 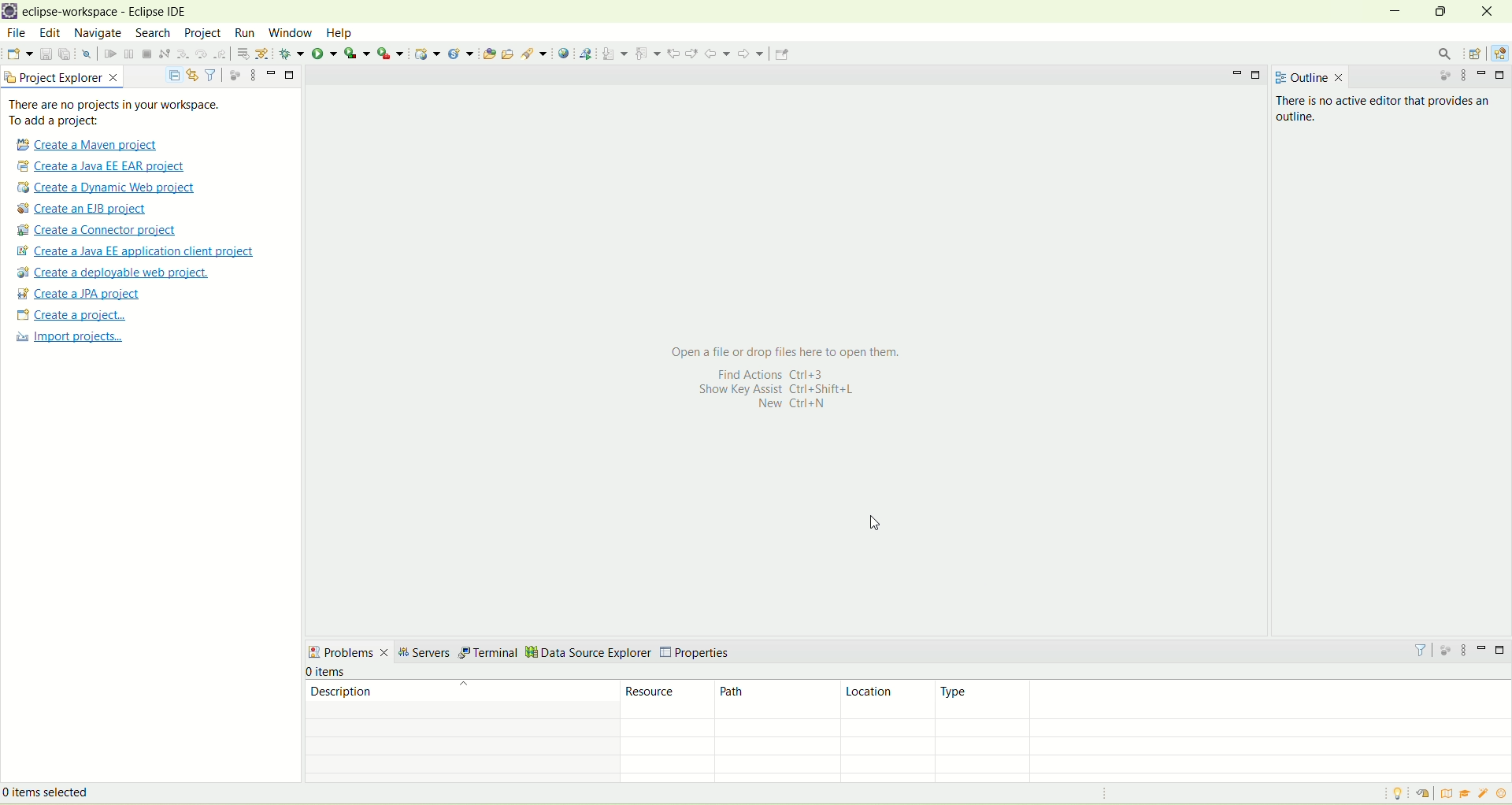 What do you see at coordinates (595, 53) in the screenshot?
I see `search` at bounding box center [595, 53].